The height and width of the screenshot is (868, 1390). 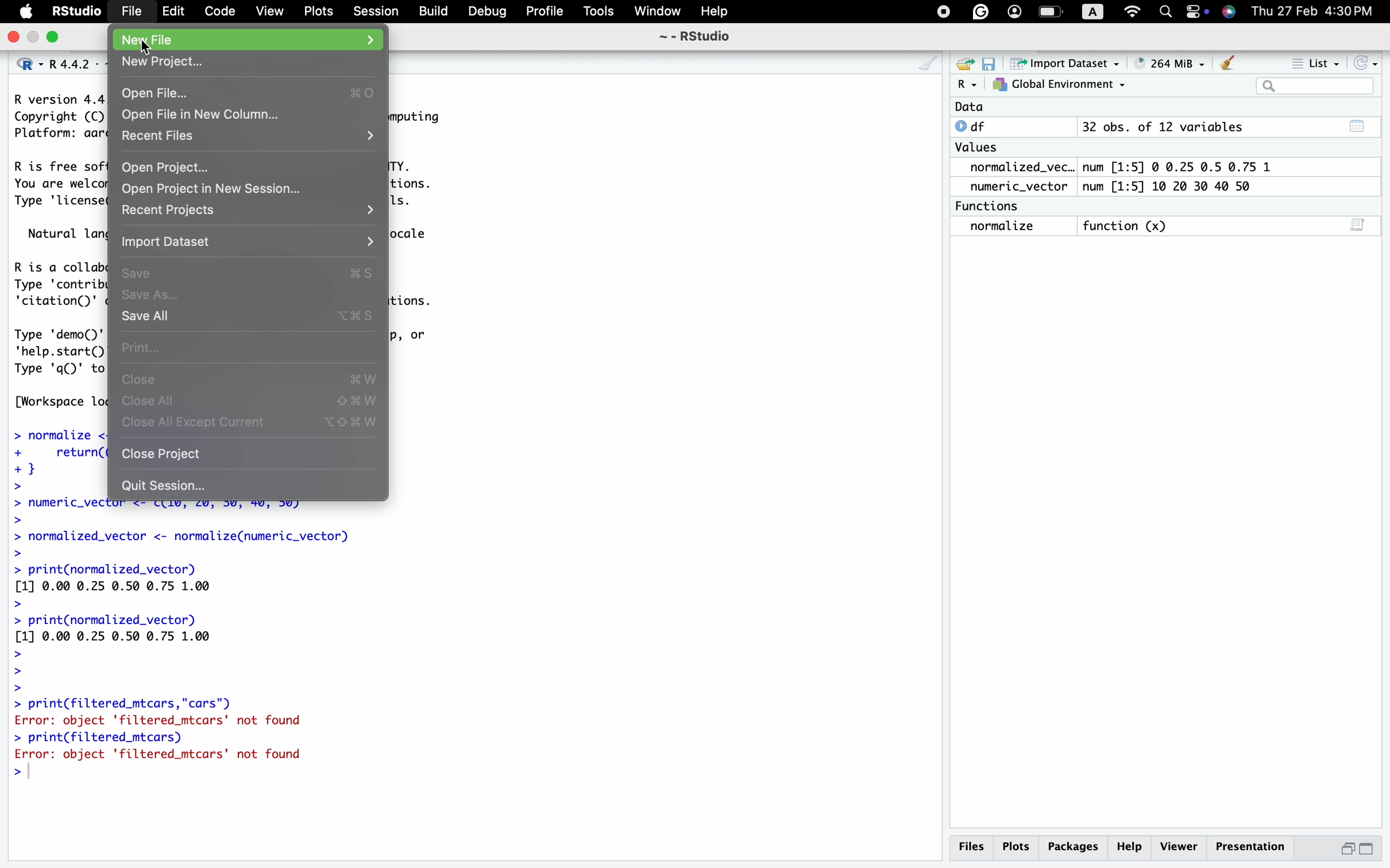 I want to click on R is a collab:
Type 'contribi
"citation", so click(x=61, y=285).